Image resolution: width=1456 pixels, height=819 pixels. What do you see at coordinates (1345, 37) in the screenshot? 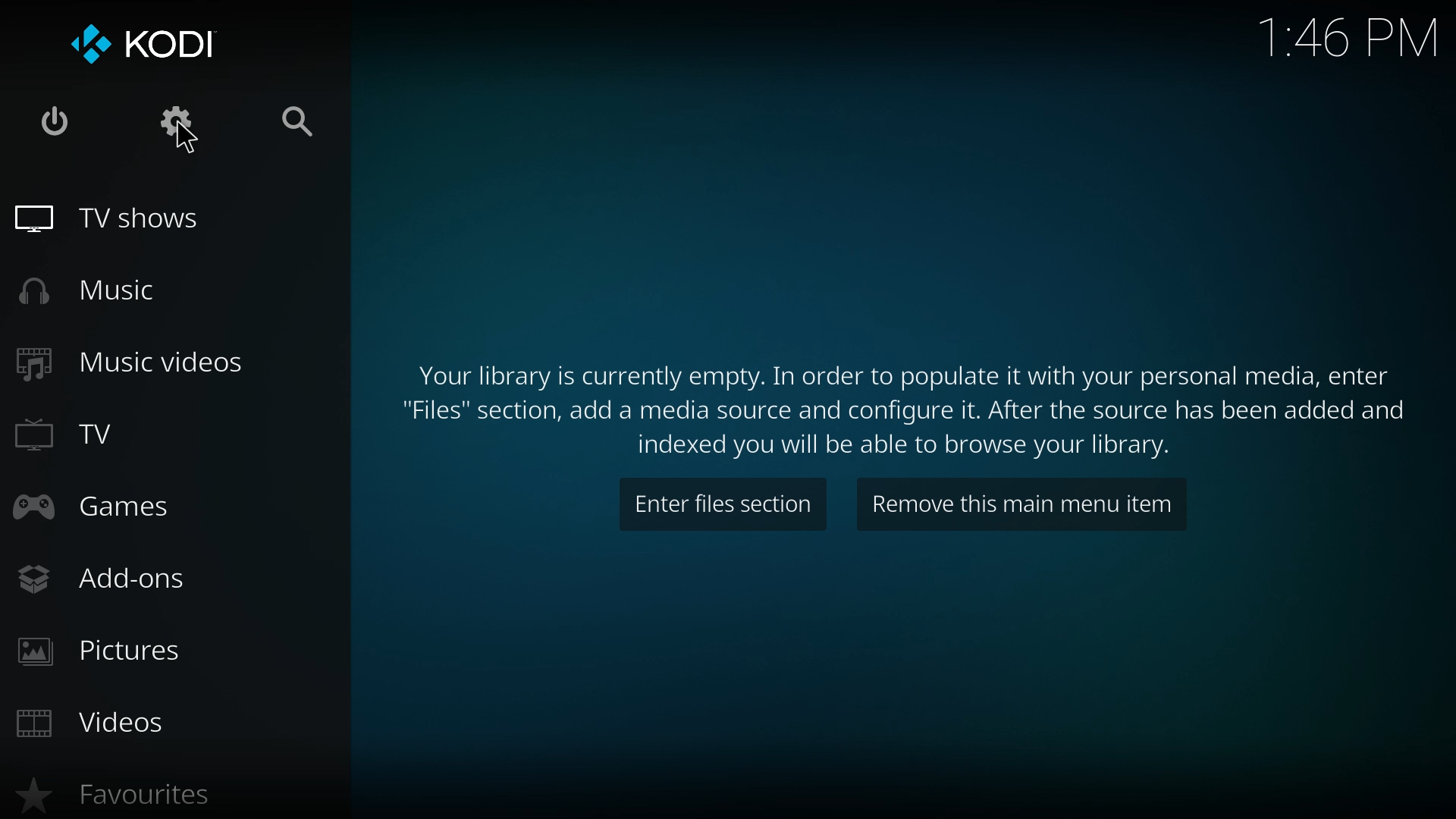
I see `time` at bounding box center [1345, 37].